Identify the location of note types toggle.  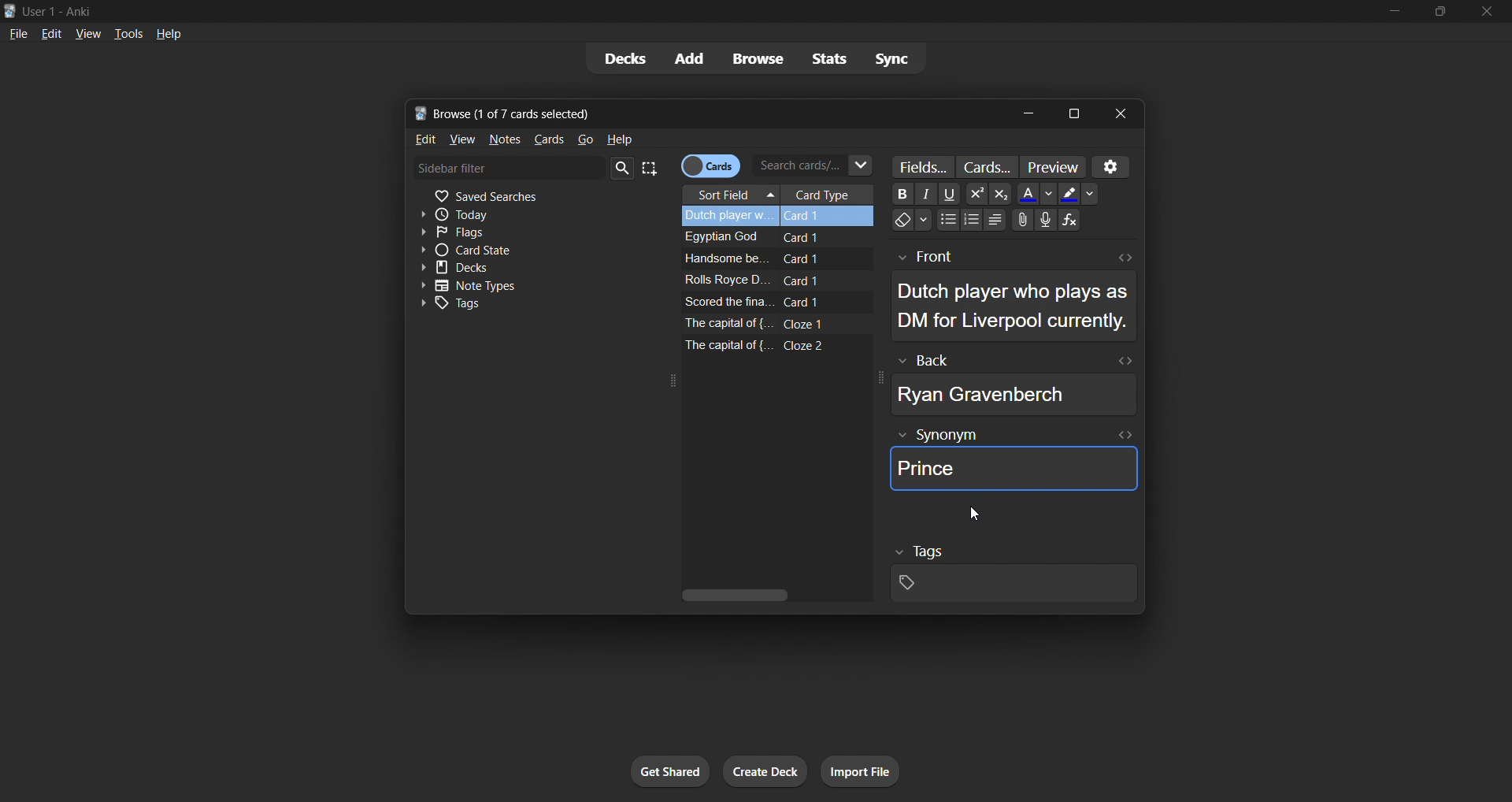
(503, 286).